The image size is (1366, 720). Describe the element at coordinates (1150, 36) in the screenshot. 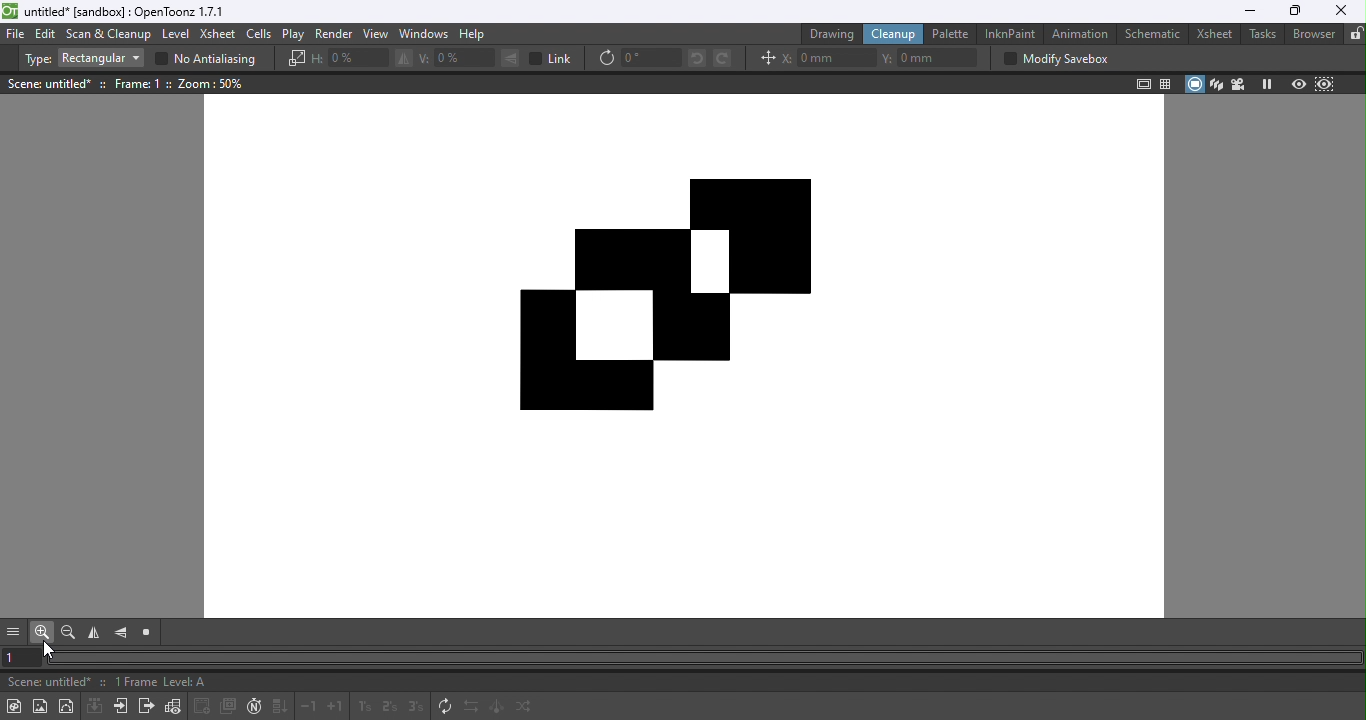

I see `Schematic` at that location.